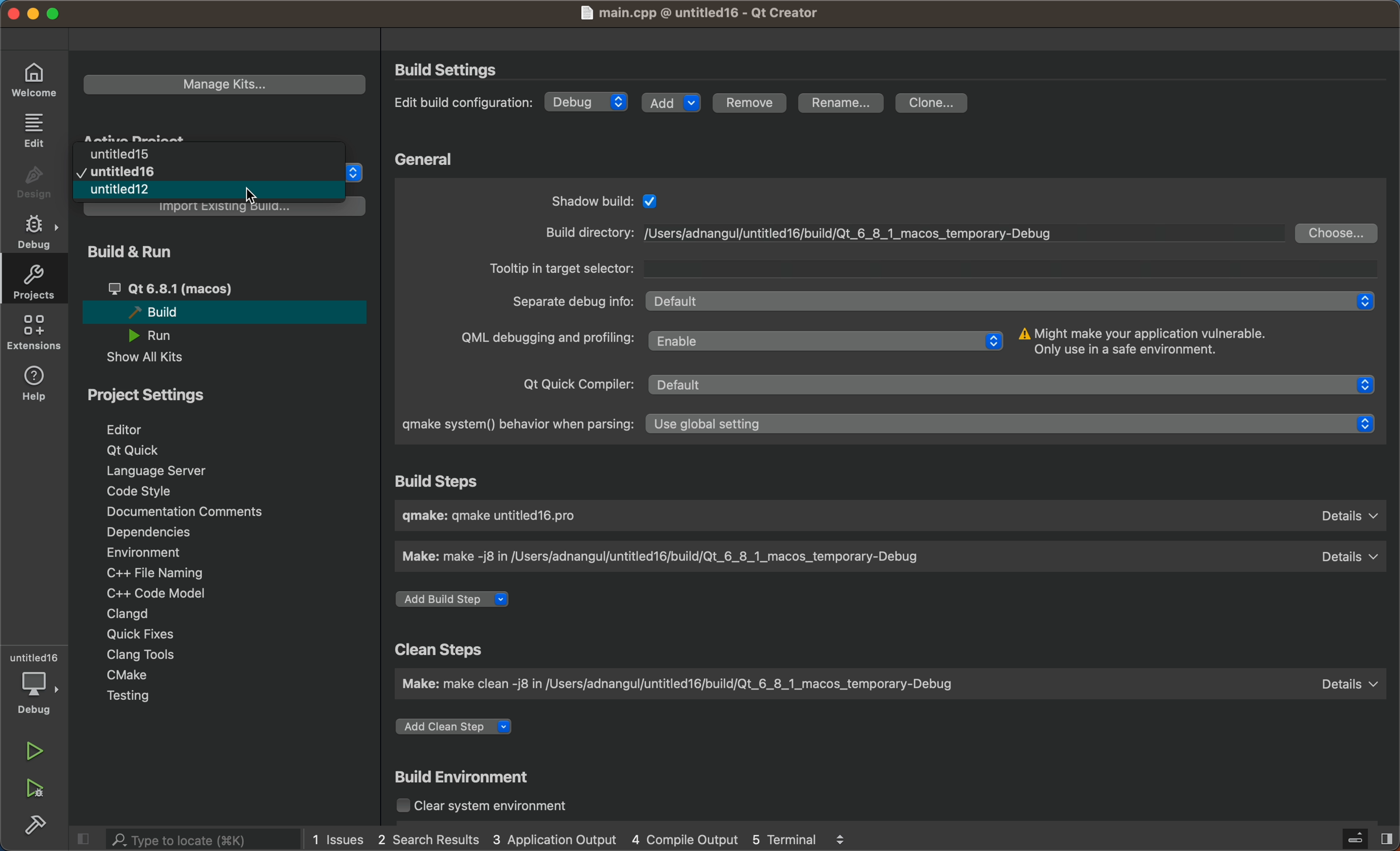 This screenshot has height=851, width=1400. I want to click on debugger, so click(37, 684).